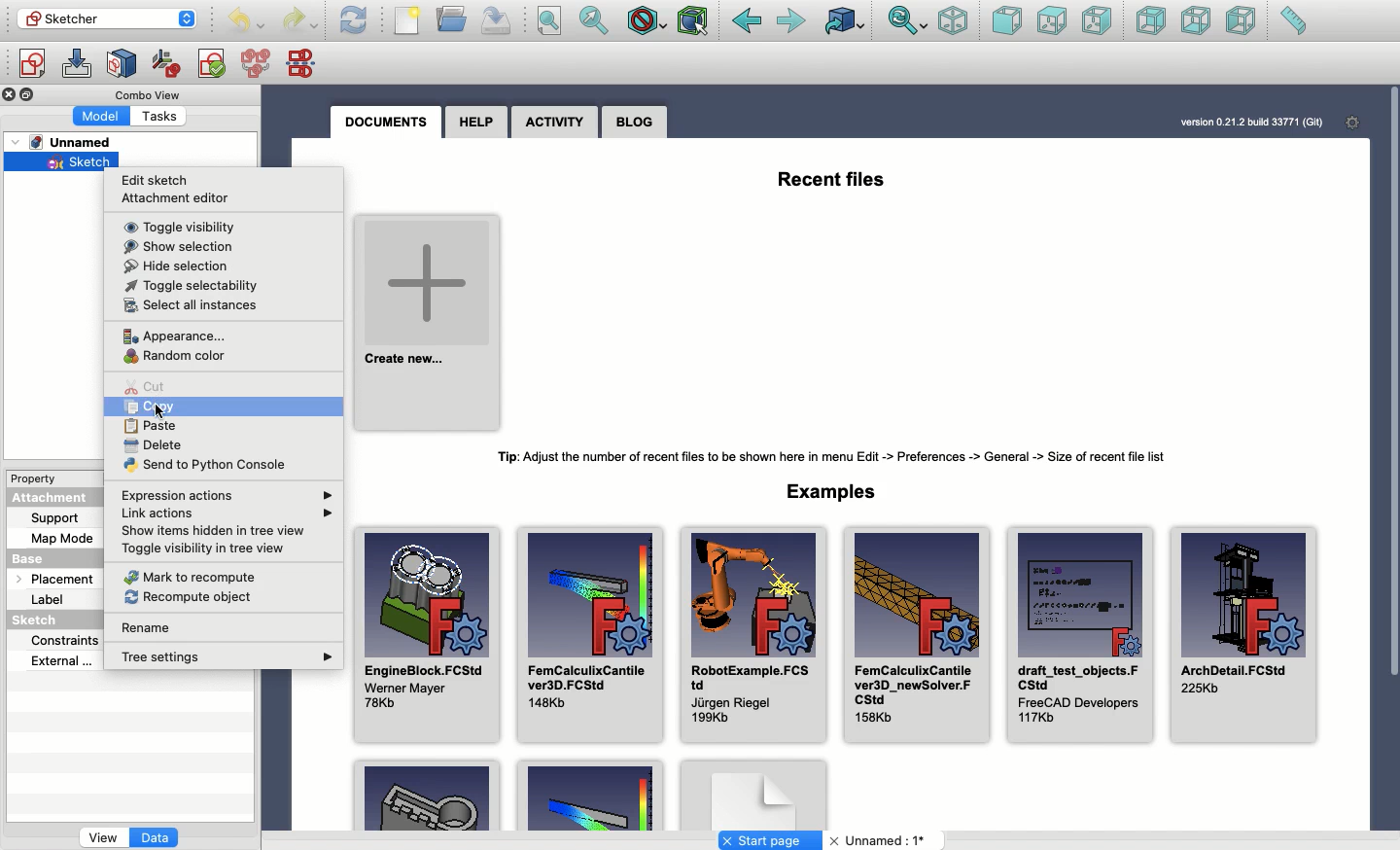 Image resolution: width=1400 pixels, height=850 pixels. Describe the element at coordinates (1347, 122) in the screenshot. I see `Settings` at that location.